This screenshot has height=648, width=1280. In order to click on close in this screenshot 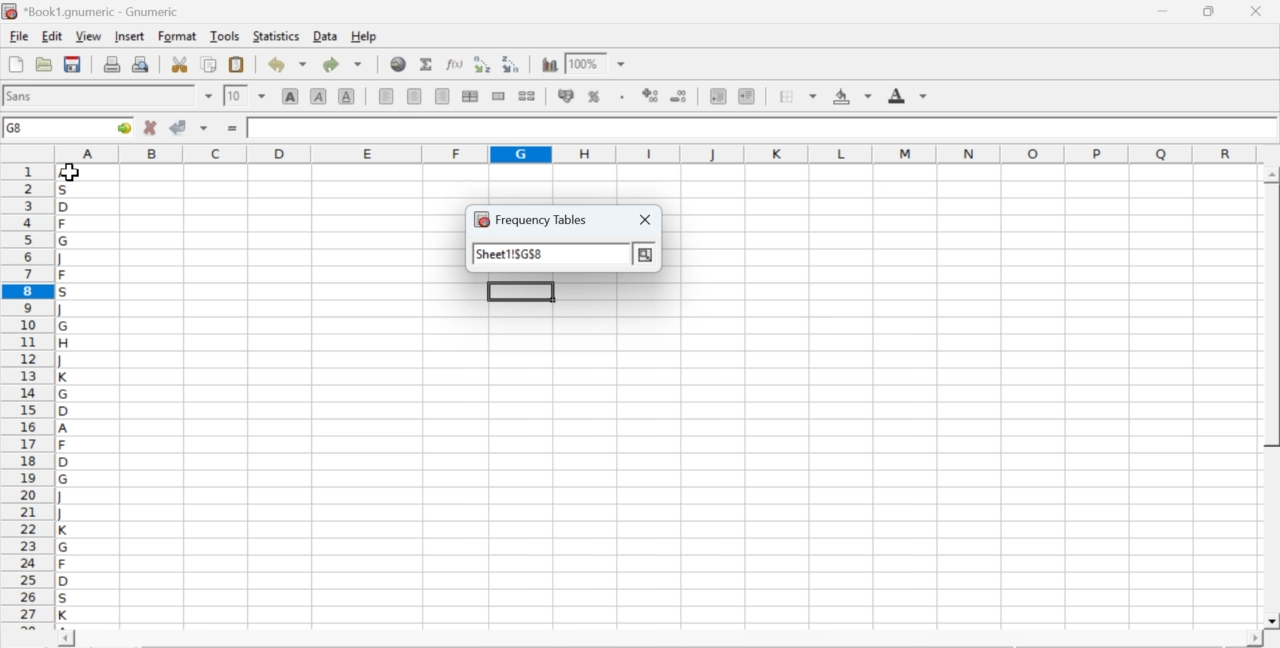, I will do `click(1254, 11)`.